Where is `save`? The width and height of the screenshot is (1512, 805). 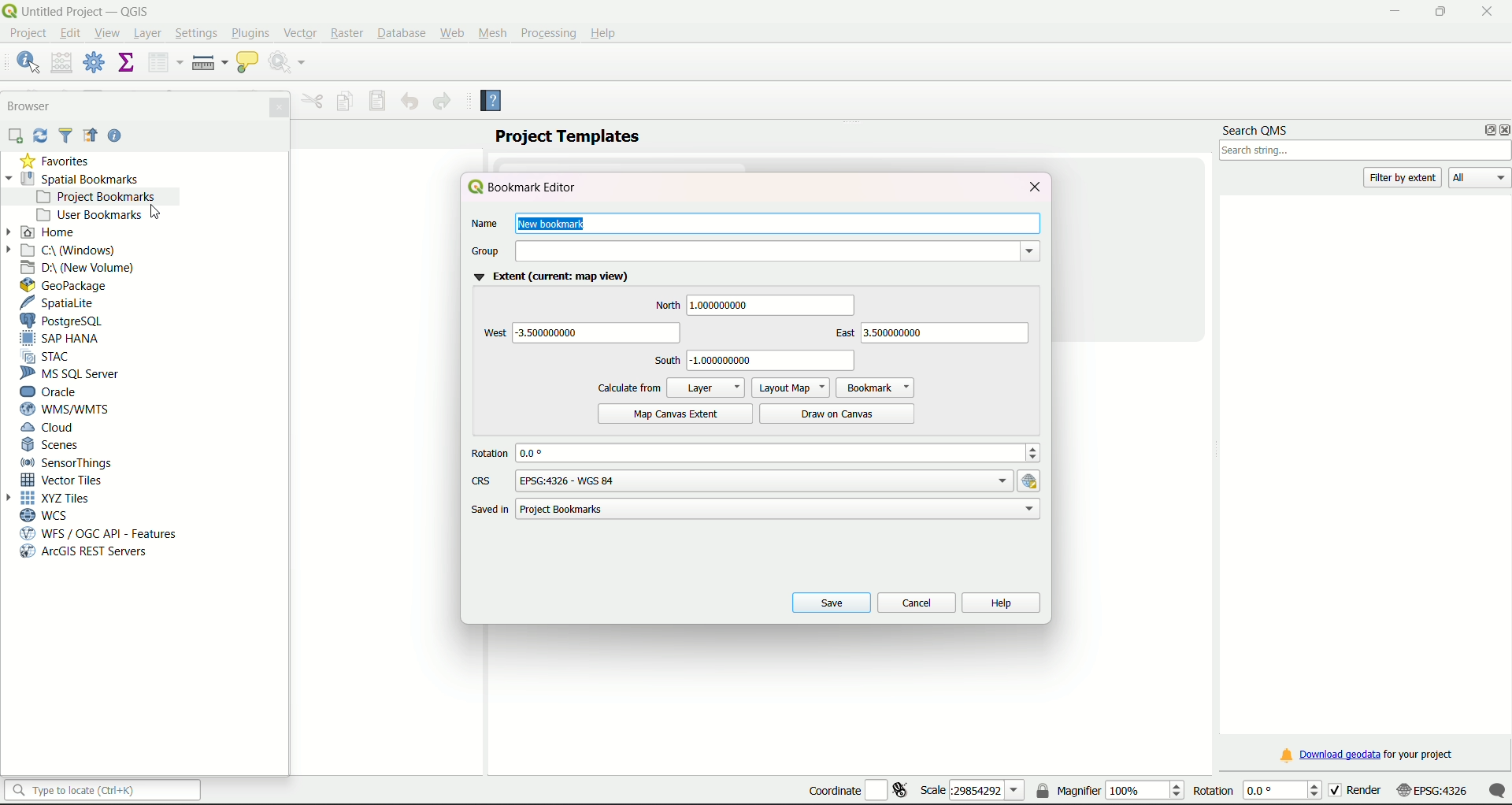 save is located at coordinates (831, 602).